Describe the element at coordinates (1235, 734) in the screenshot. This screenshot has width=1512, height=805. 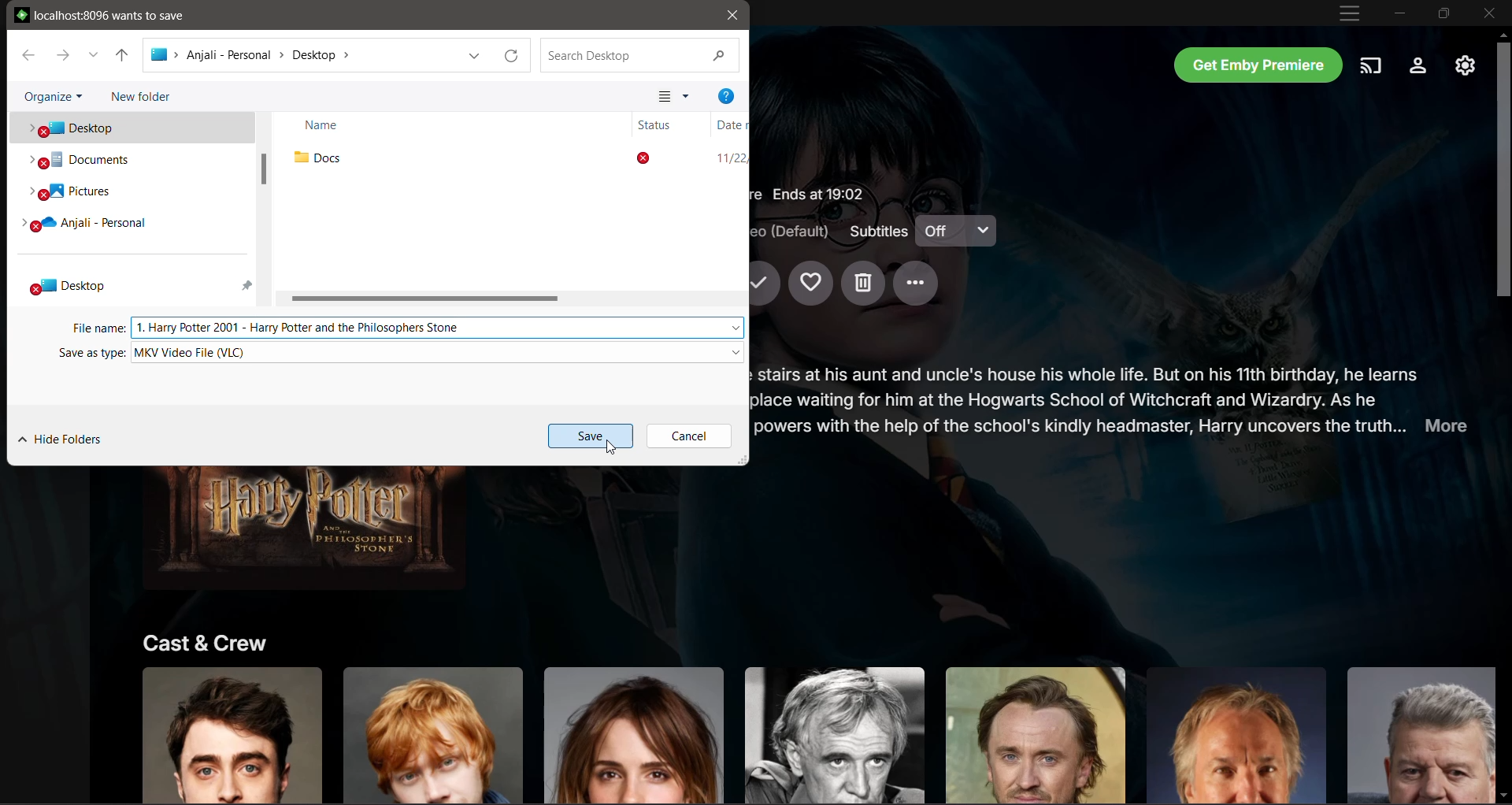
I see `Click to know more about actor` at that location.